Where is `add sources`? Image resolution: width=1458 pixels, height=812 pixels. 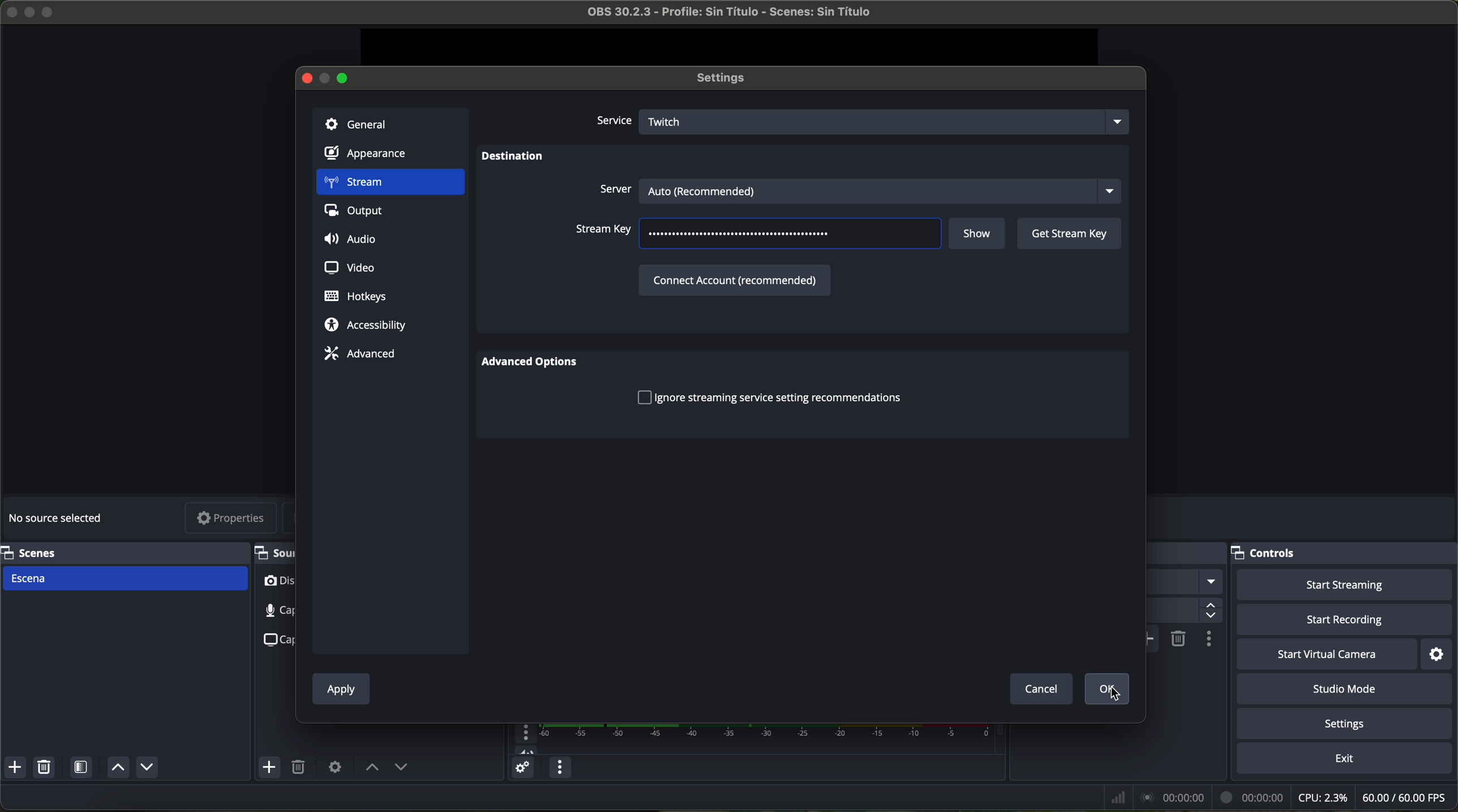
add sources is located at coordinates (271, 768).